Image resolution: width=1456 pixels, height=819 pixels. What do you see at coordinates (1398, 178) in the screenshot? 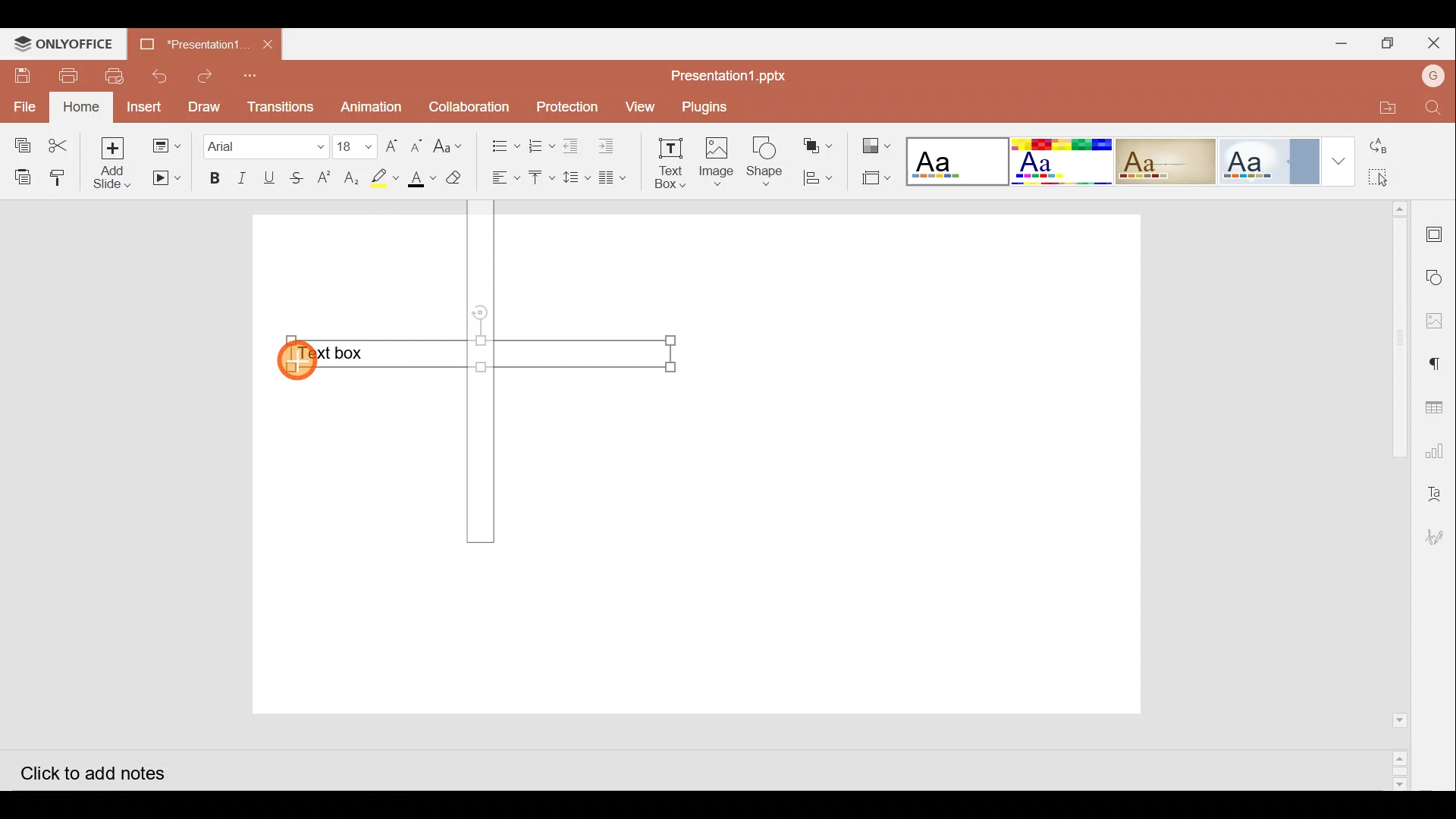
I see `Select all` at bounding box center [1398, 178].